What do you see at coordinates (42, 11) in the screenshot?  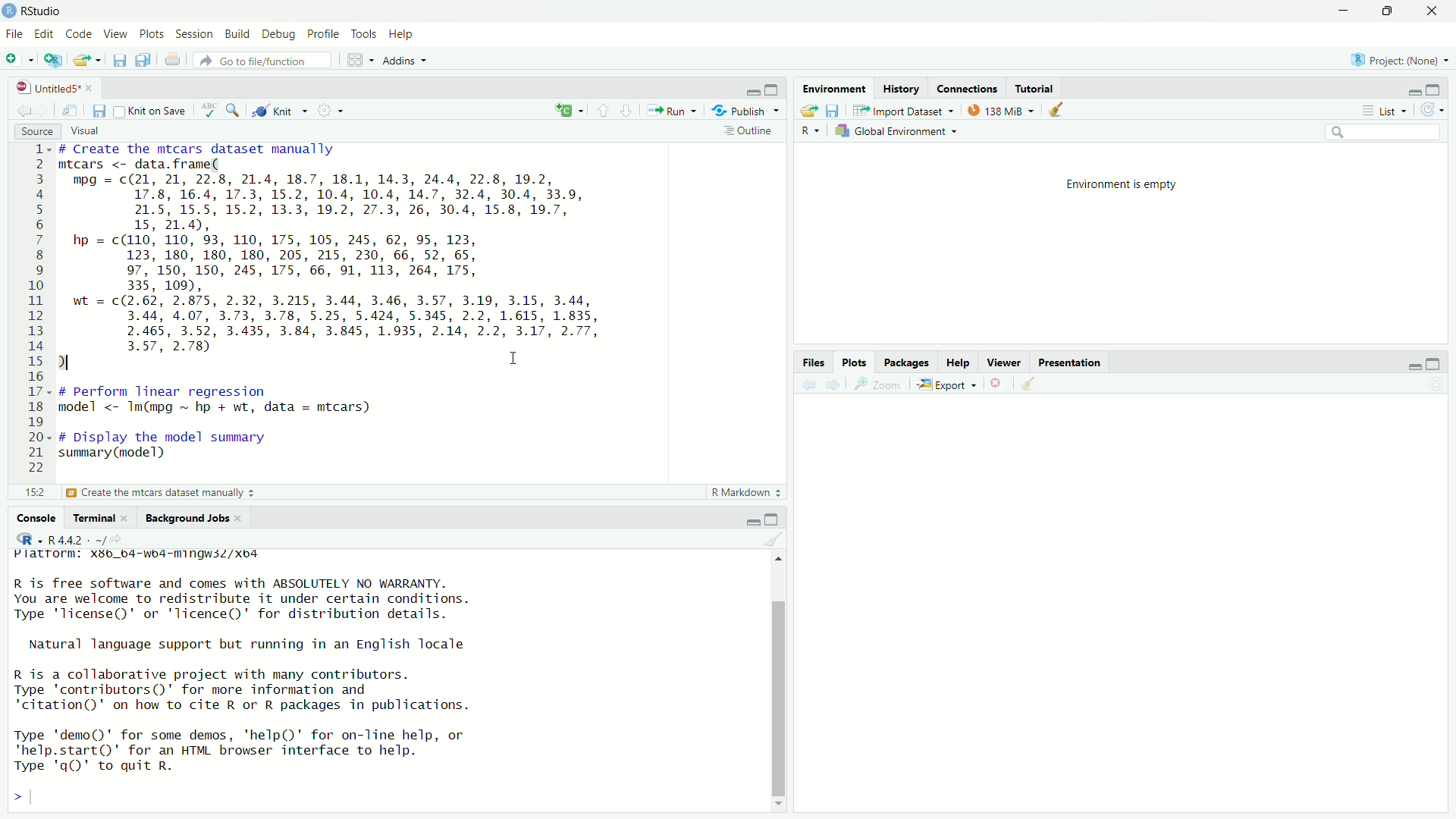 I see `RStudio` at bounding box center [42, 11].